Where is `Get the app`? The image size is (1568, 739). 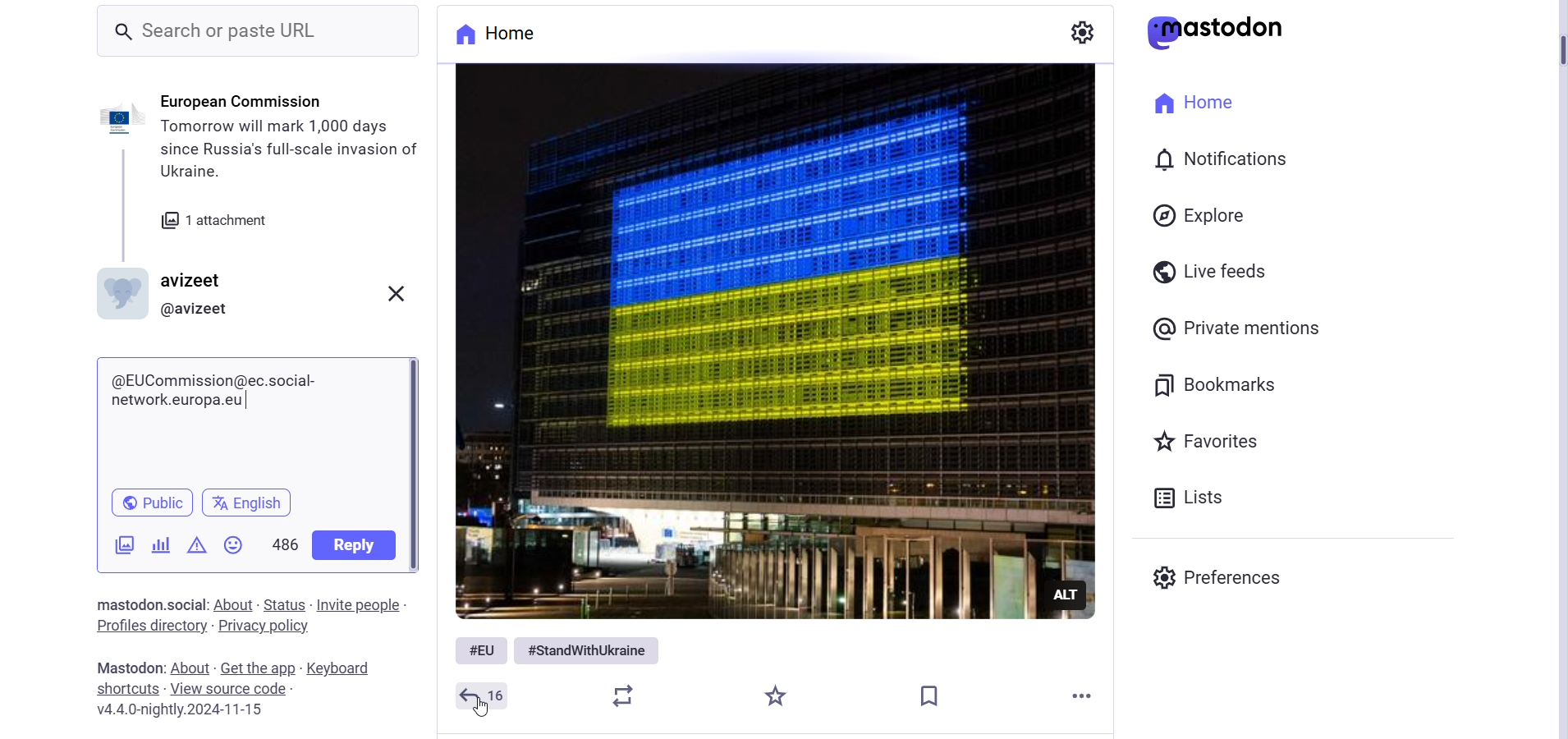
Get the app is located at coordinates (260, 669).